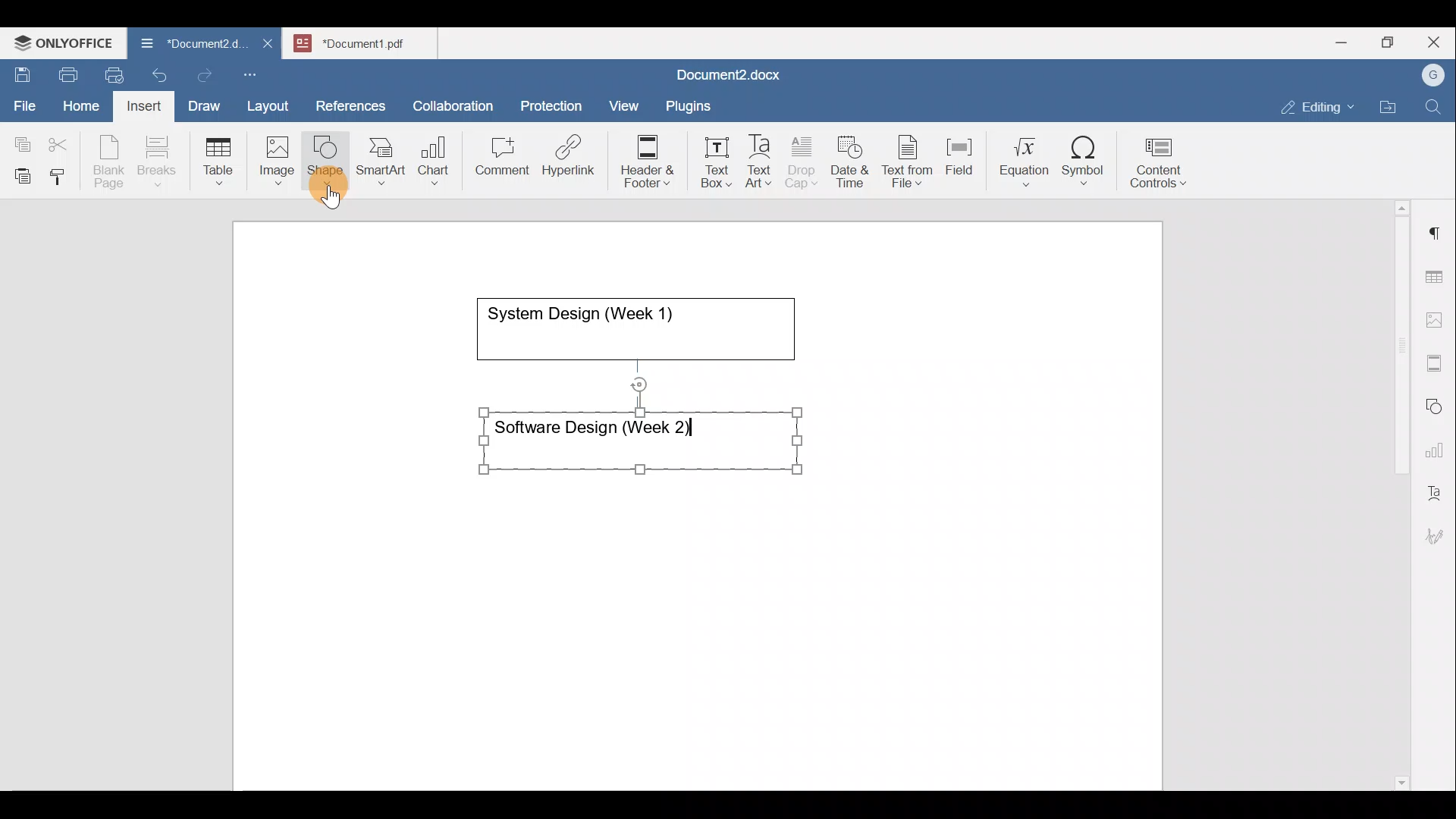 The height and width of the screenshot is (819, 1456). I want to click on Cut, so click(64, 141).